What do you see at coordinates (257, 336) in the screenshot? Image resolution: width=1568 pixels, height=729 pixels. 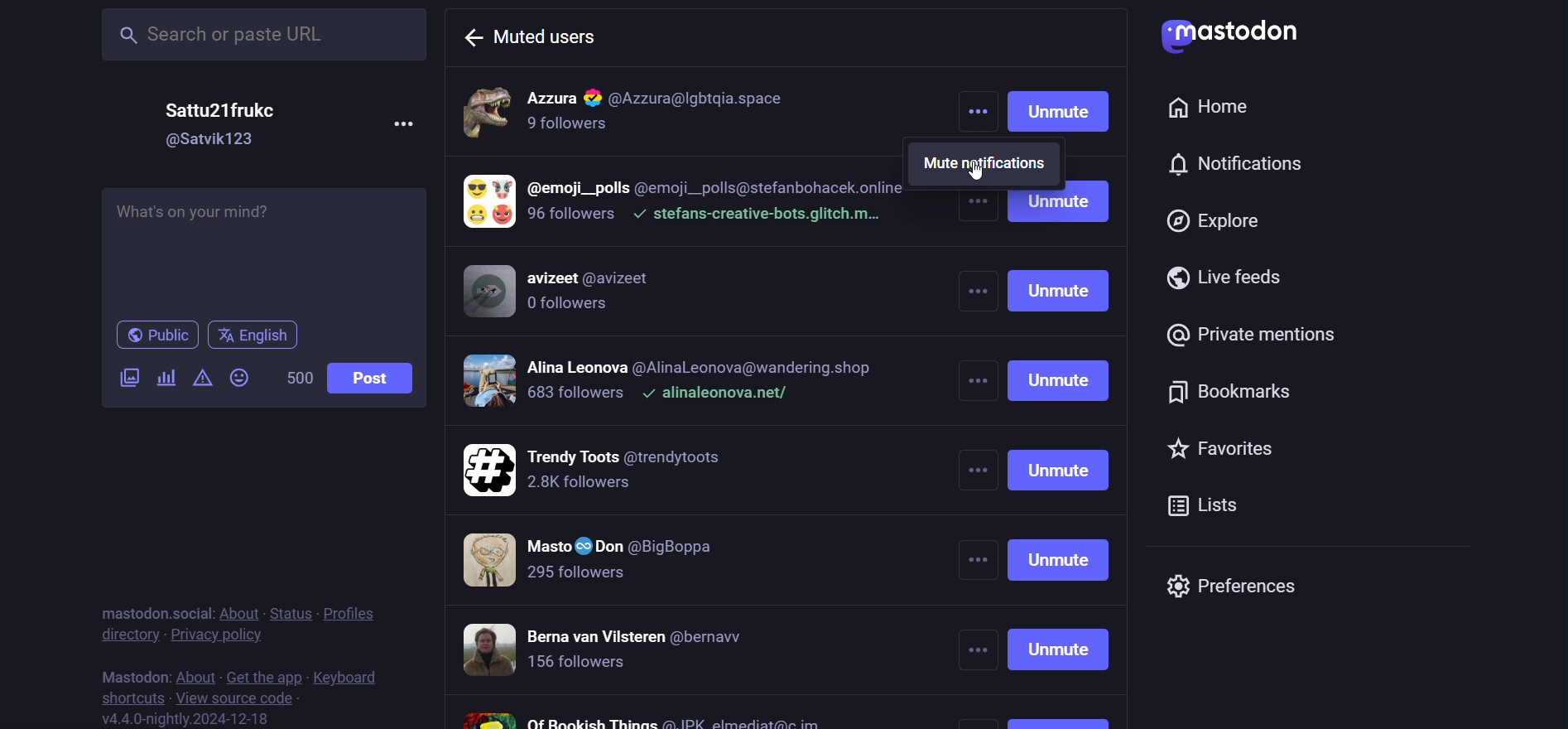 I see `englisg` at bounding box center [257, 336].